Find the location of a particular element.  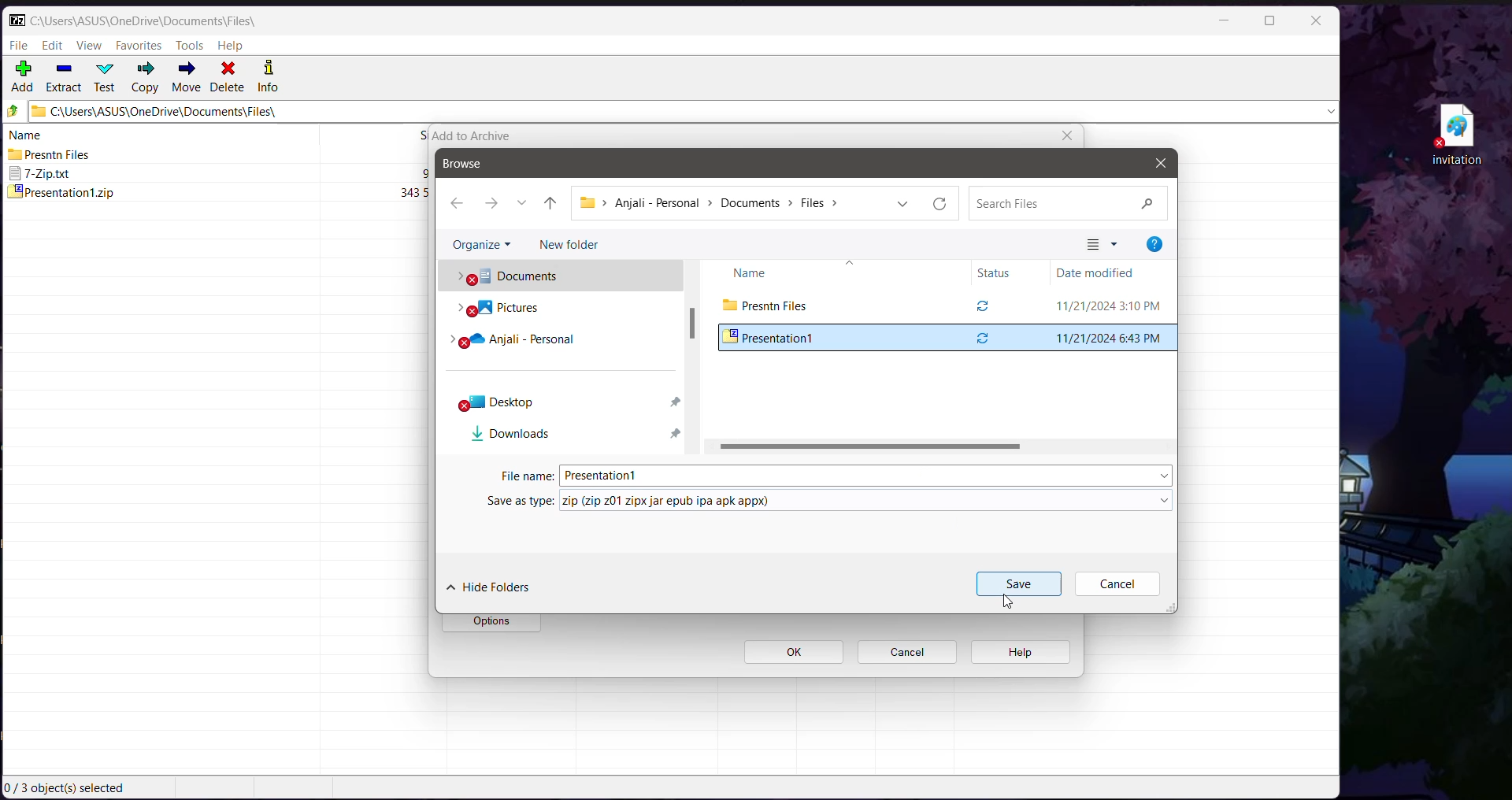

Help is located at coordinates (1155, 243).